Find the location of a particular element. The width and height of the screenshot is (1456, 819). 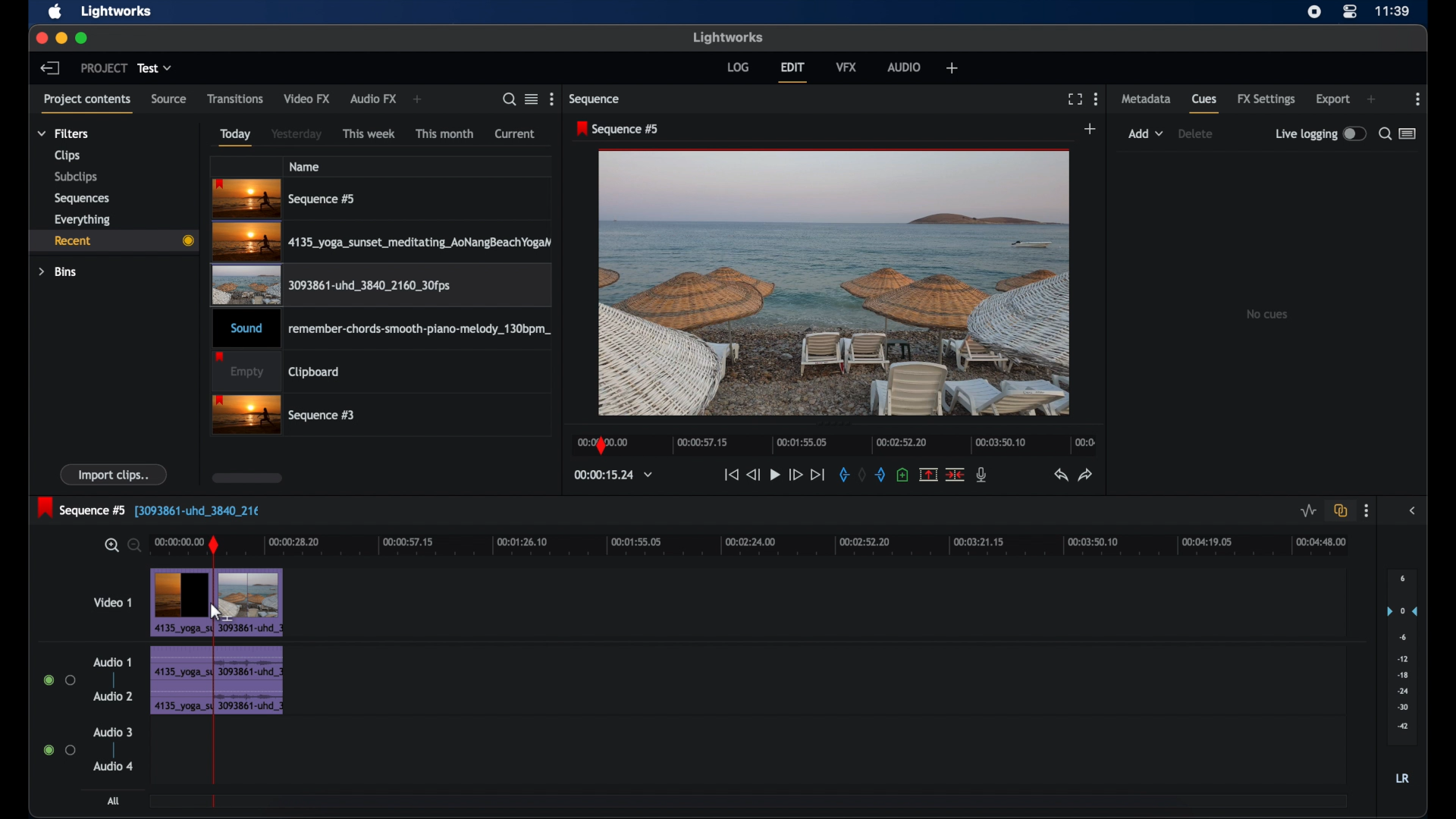

project is located at coordinates (103, 67).